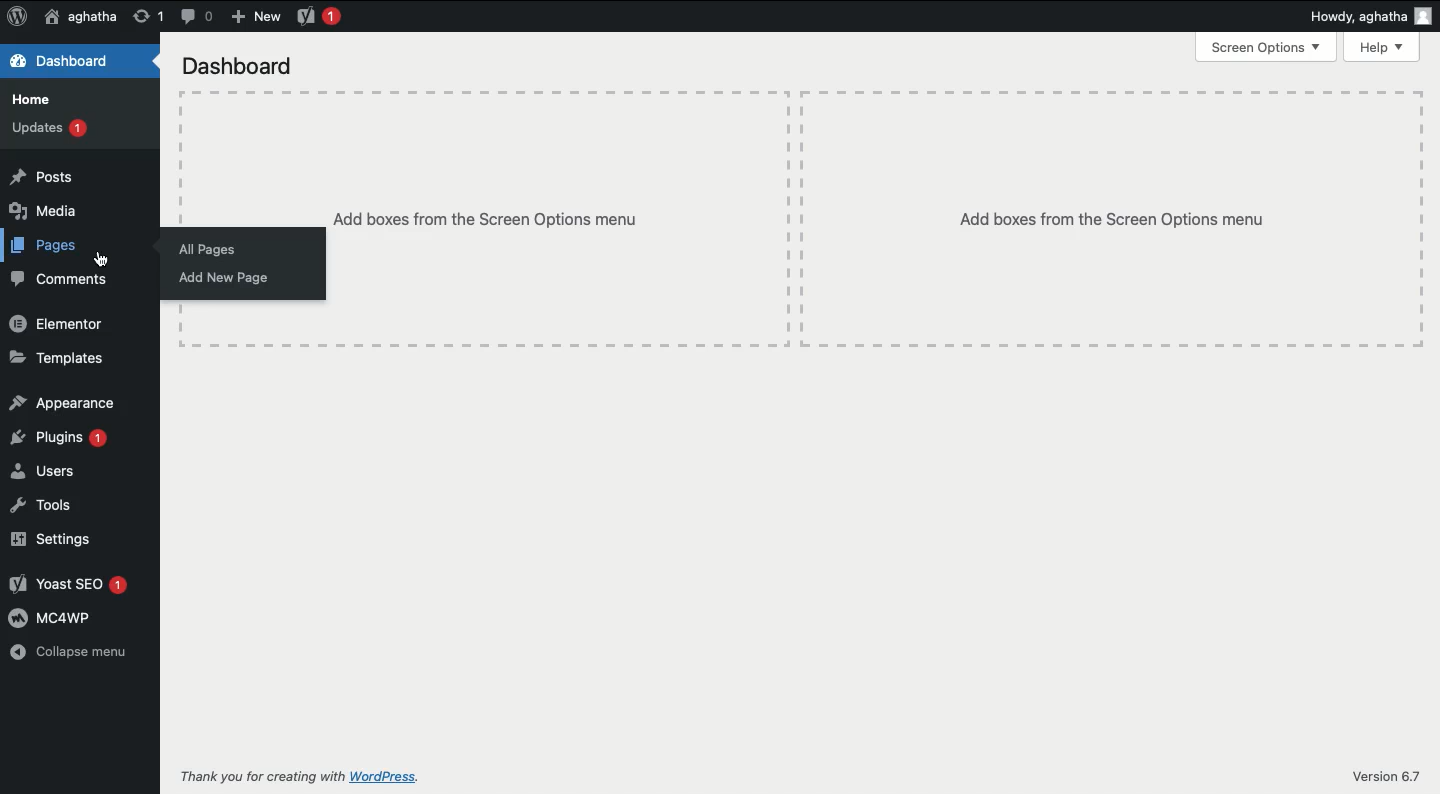 The height and width of the screenshot is (794, 1440). I want to click on Dashboard, so click(242, 67).